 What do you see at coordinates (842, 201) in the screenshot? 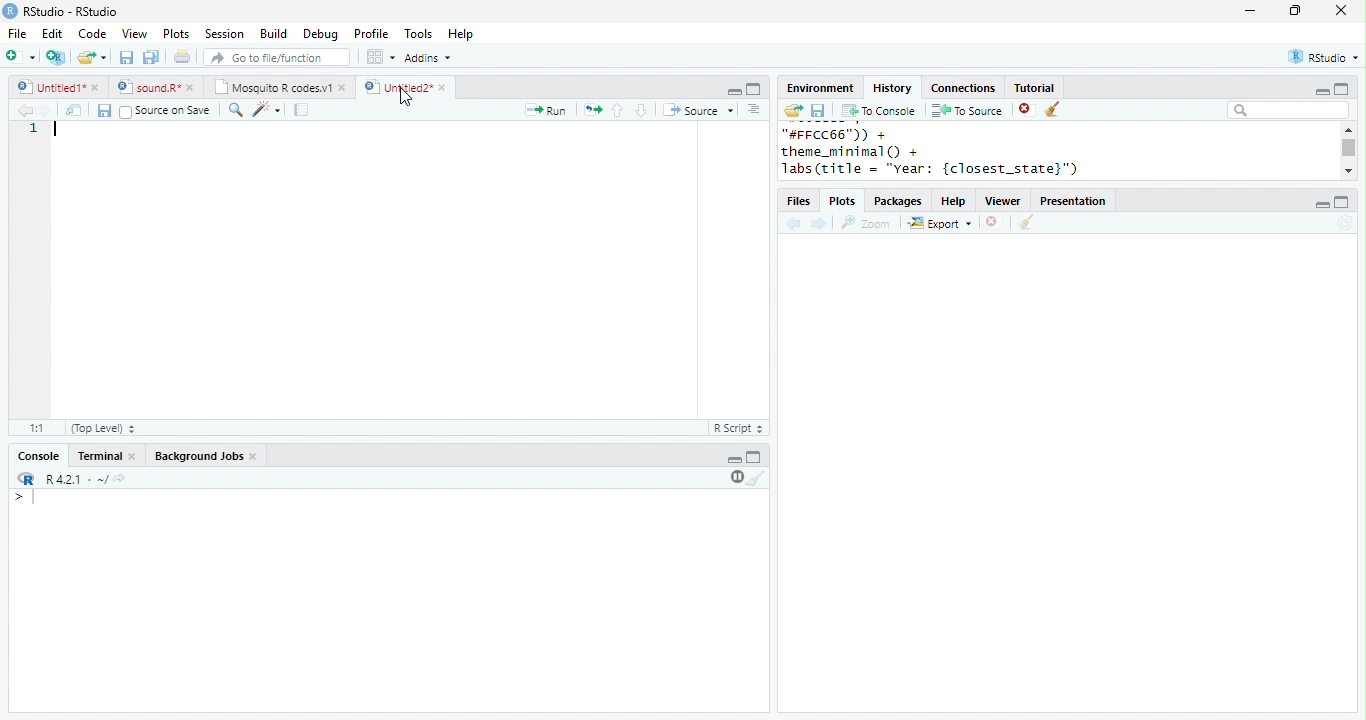
I see `Plots` at bounding box center [842, 201].